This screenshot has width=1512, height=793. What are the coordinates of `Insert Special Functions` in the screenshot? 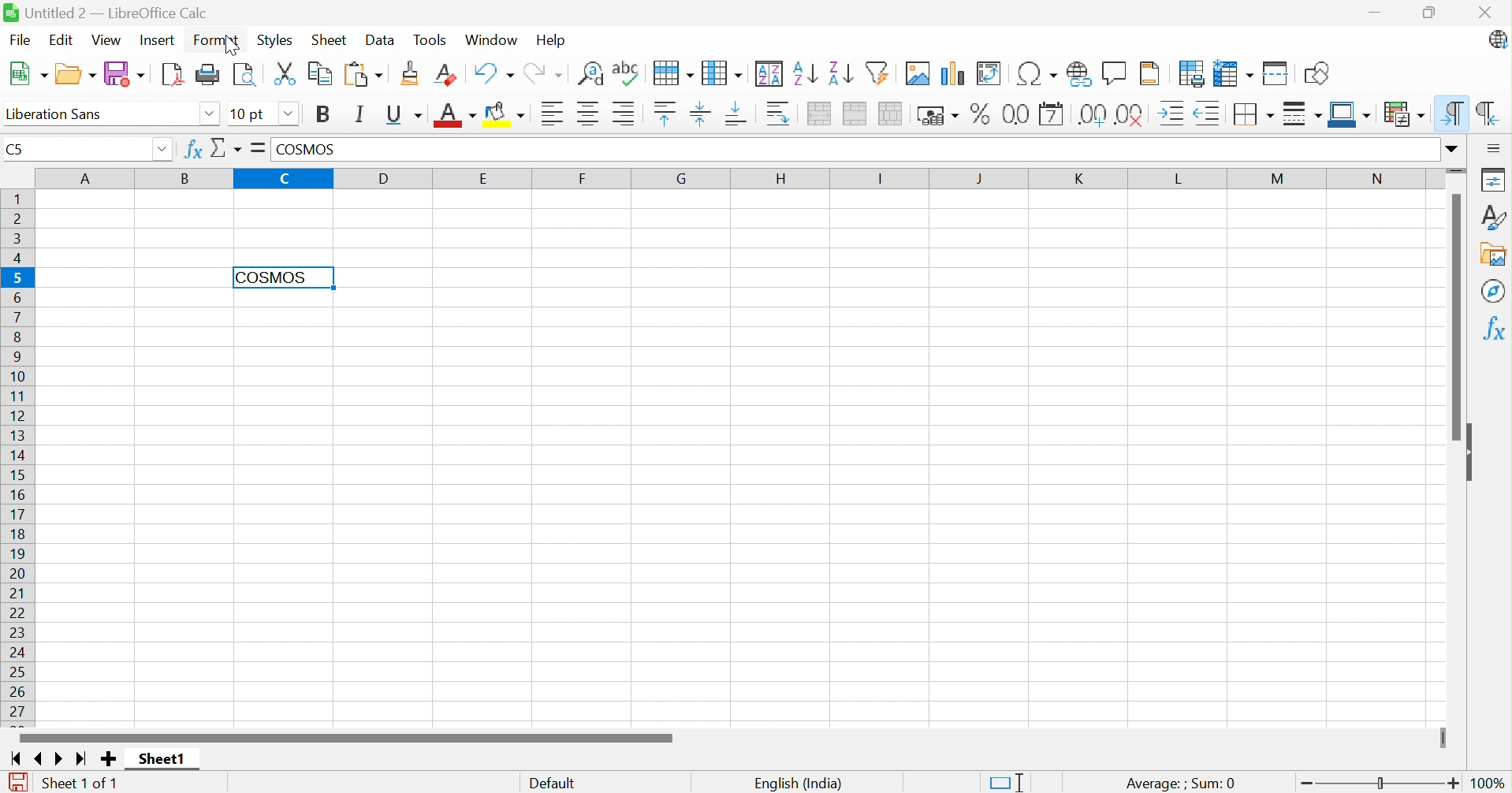 It's located at (1040, 73).